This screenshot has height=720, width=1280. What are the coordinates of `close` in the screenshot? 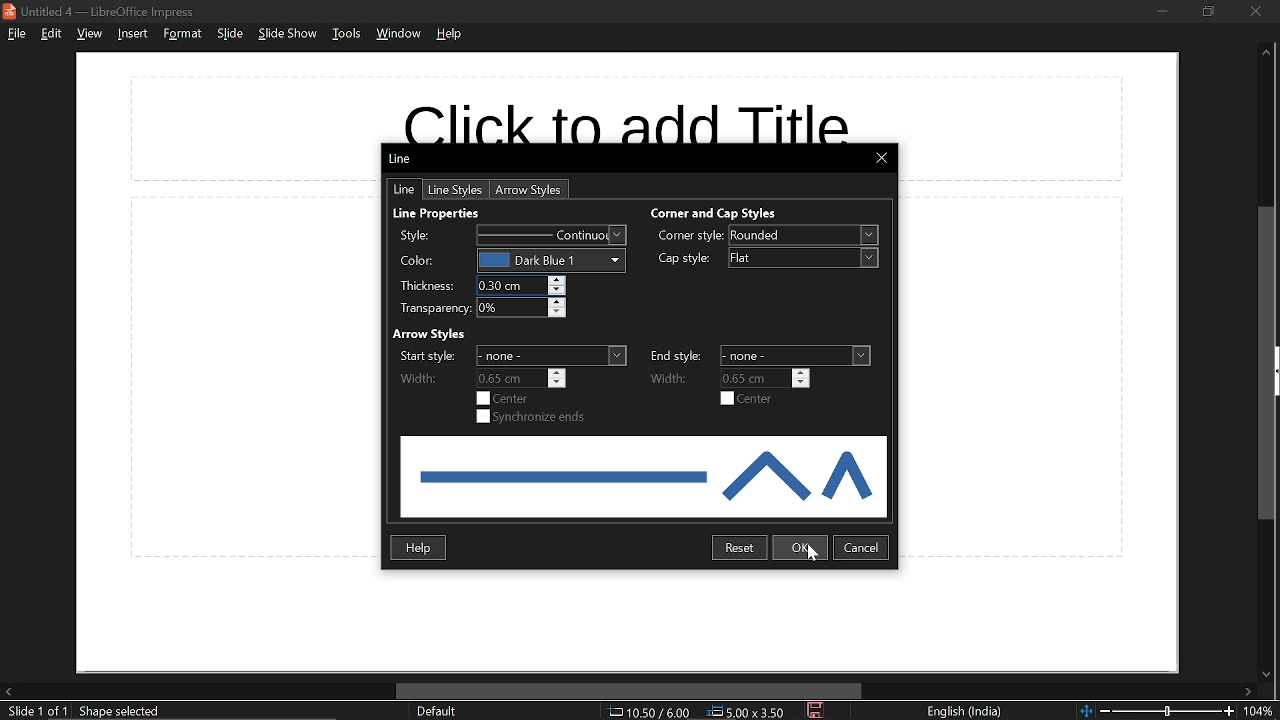 It's located at (1255, 10).